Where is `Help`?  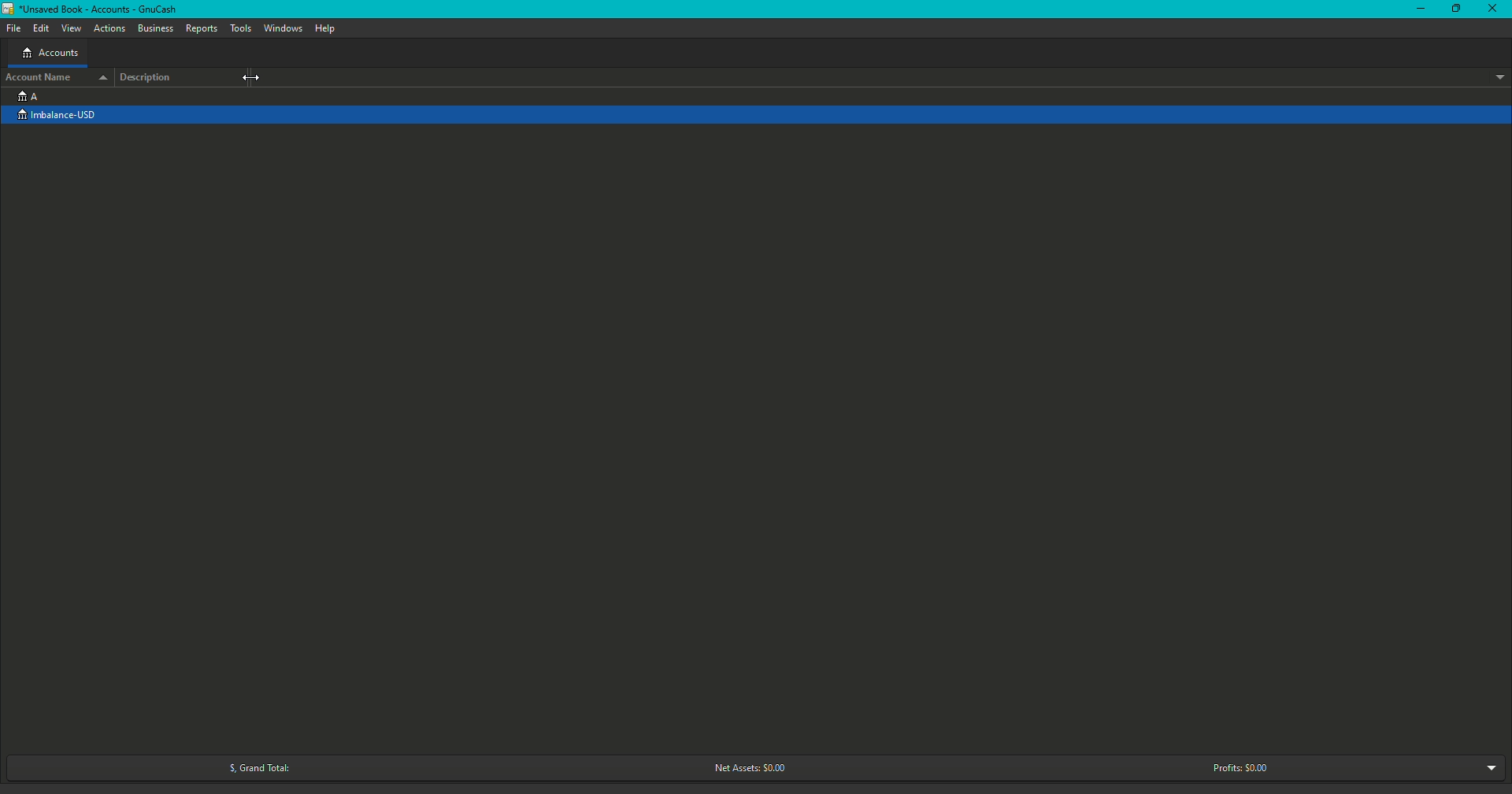 Help is located at coordinates (324, 28).